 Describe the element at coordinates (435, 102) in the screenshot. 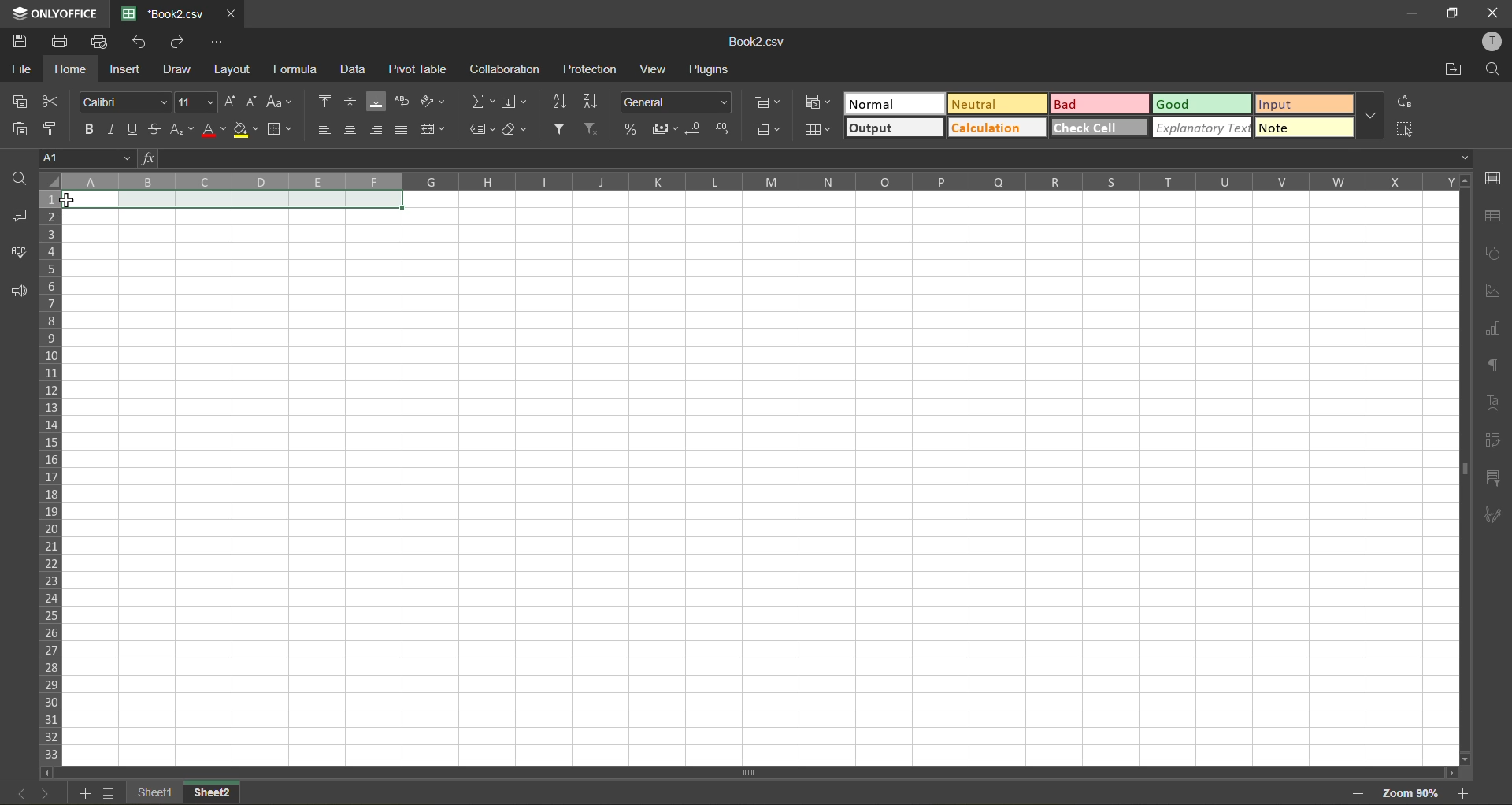

I see `orientation` at that location.